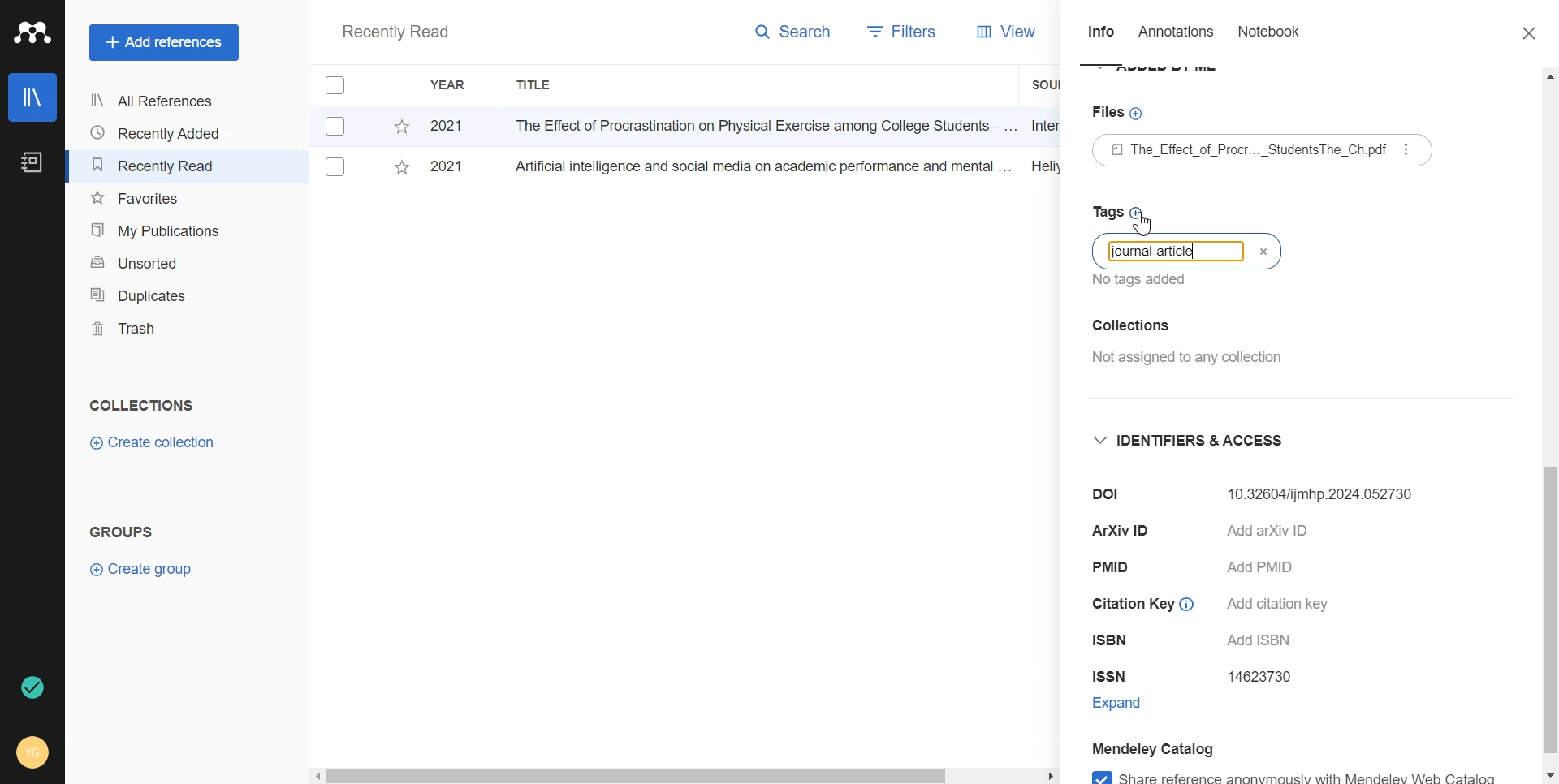  What do you see at coordinates (32, 32) in the screenshot?
I see `Logo` at bounding box center [32, 32].